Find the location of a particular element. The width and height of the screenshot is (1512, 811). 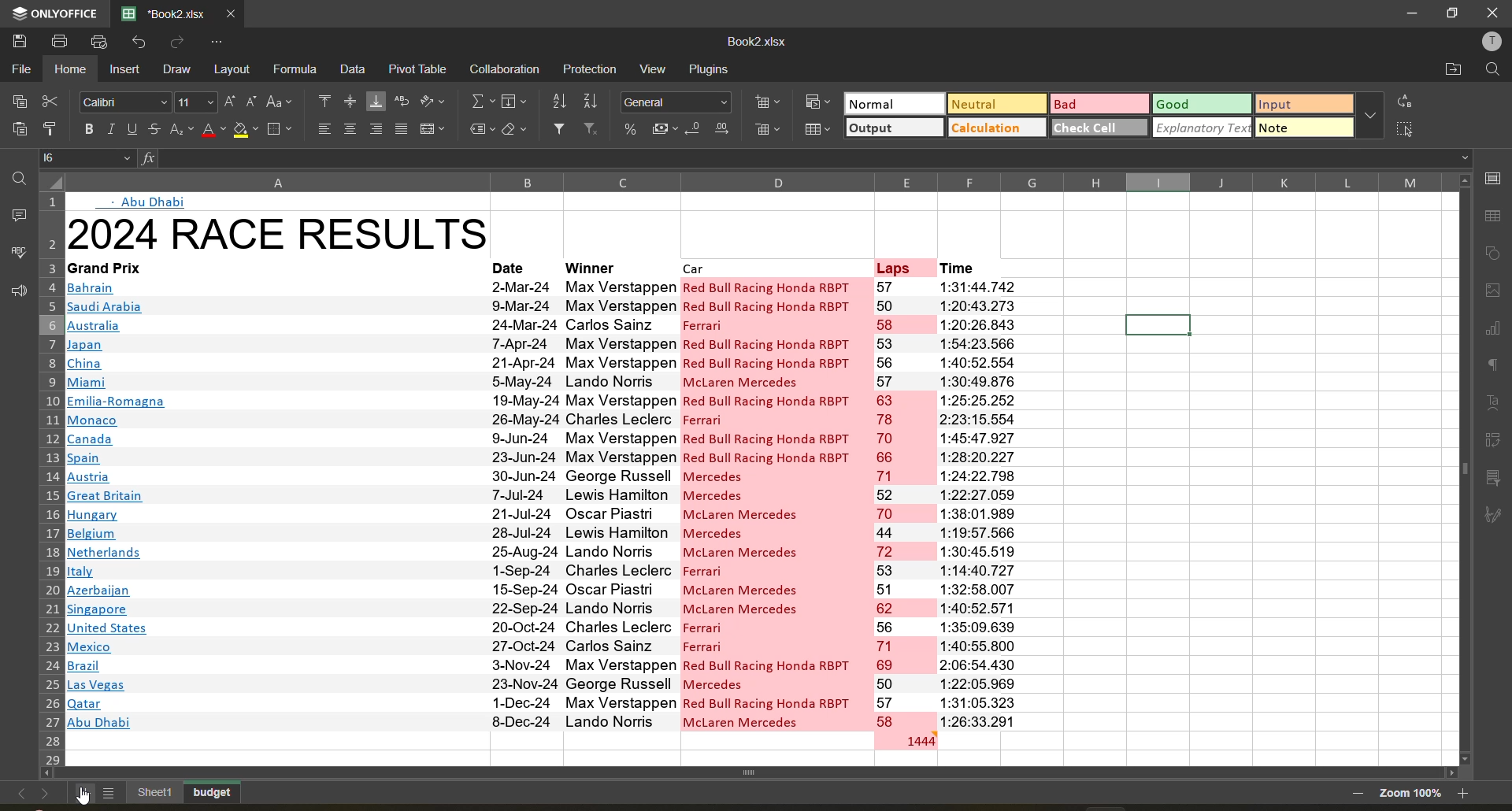

home is located at coordinates (71, 69).